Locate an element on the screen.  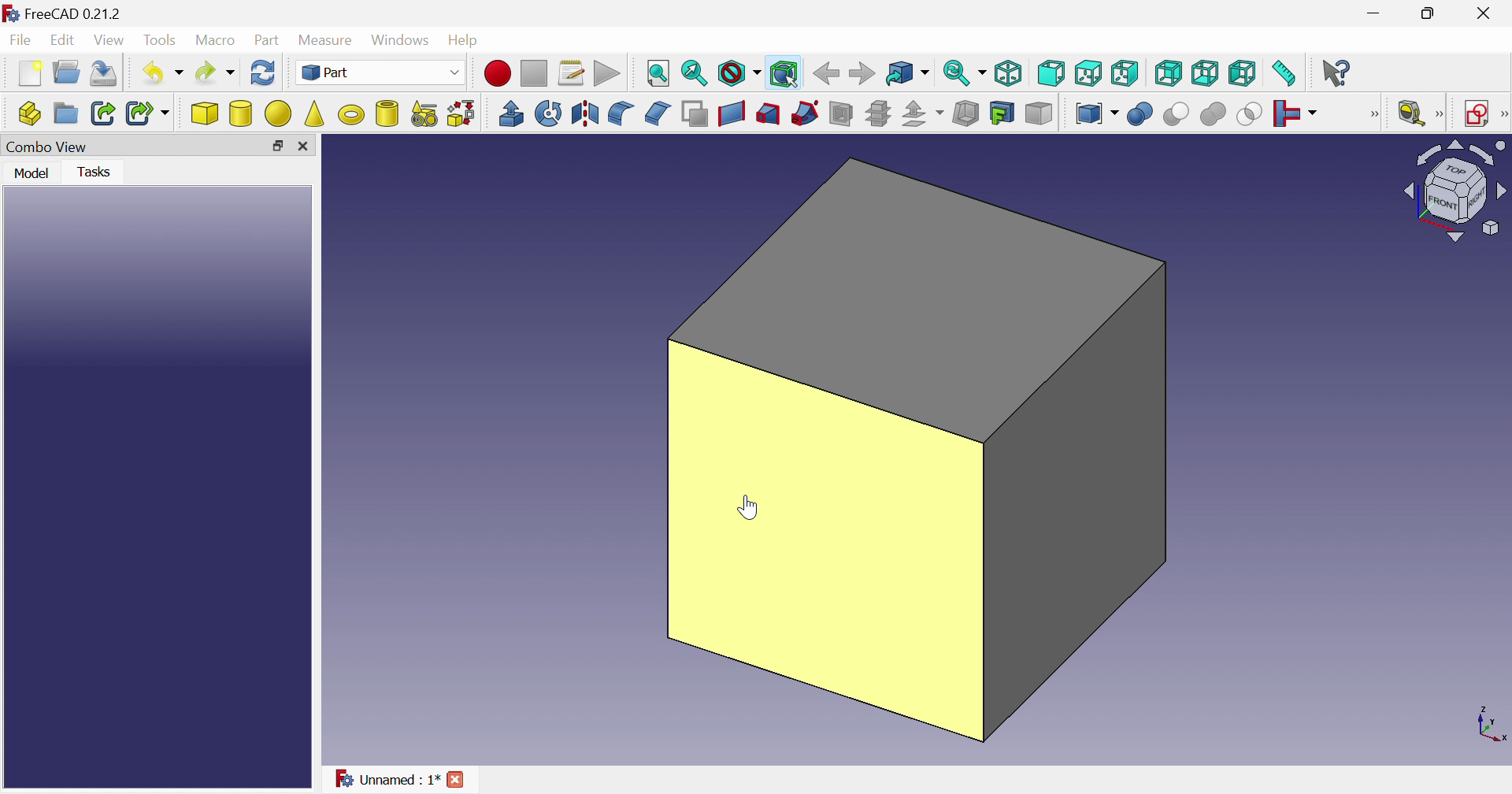
x, y axis is located at coordinates (1488, 724).